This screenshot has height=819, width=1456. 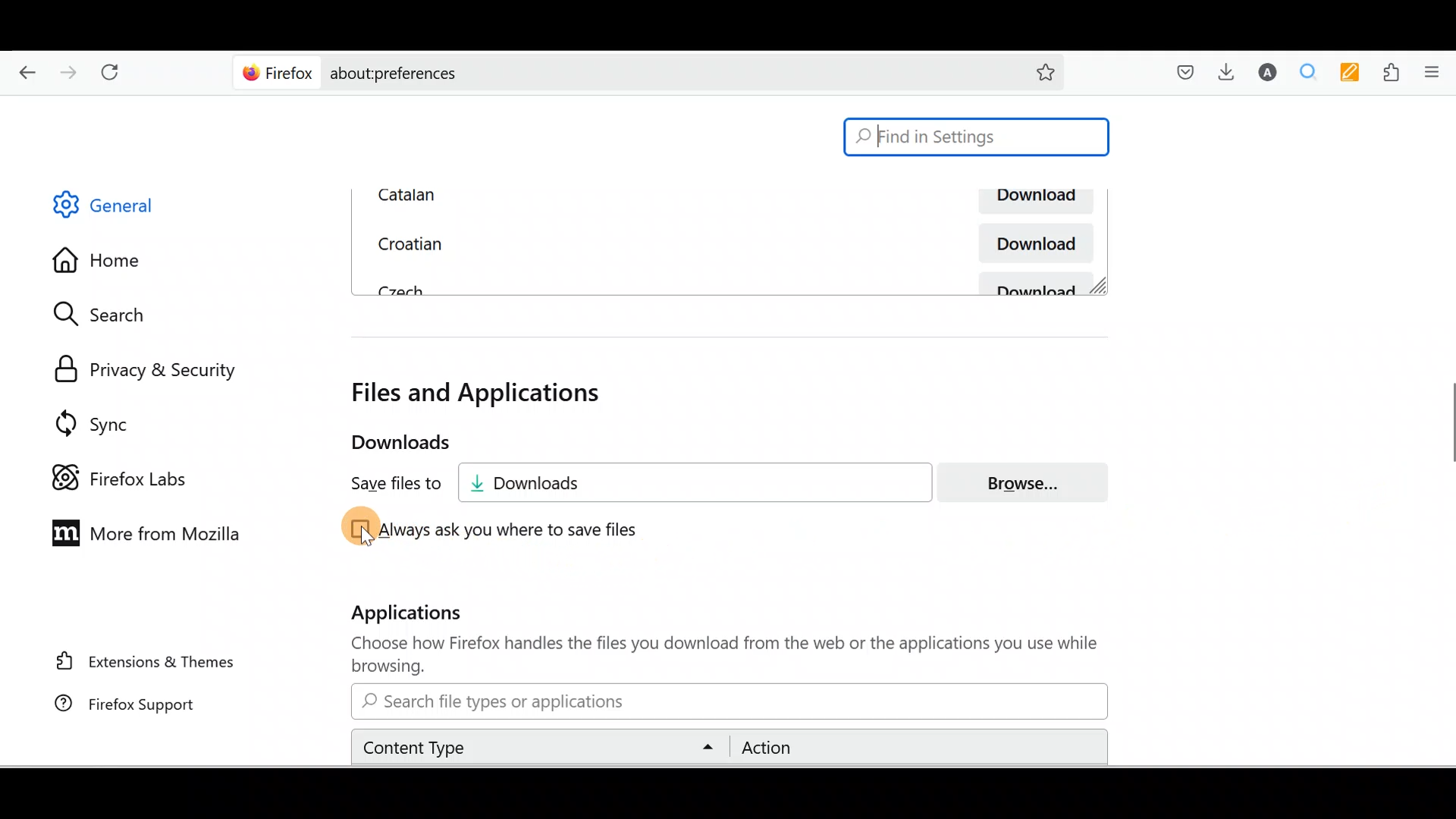 I want to click on scroll up, so click(x=1447, y=101).